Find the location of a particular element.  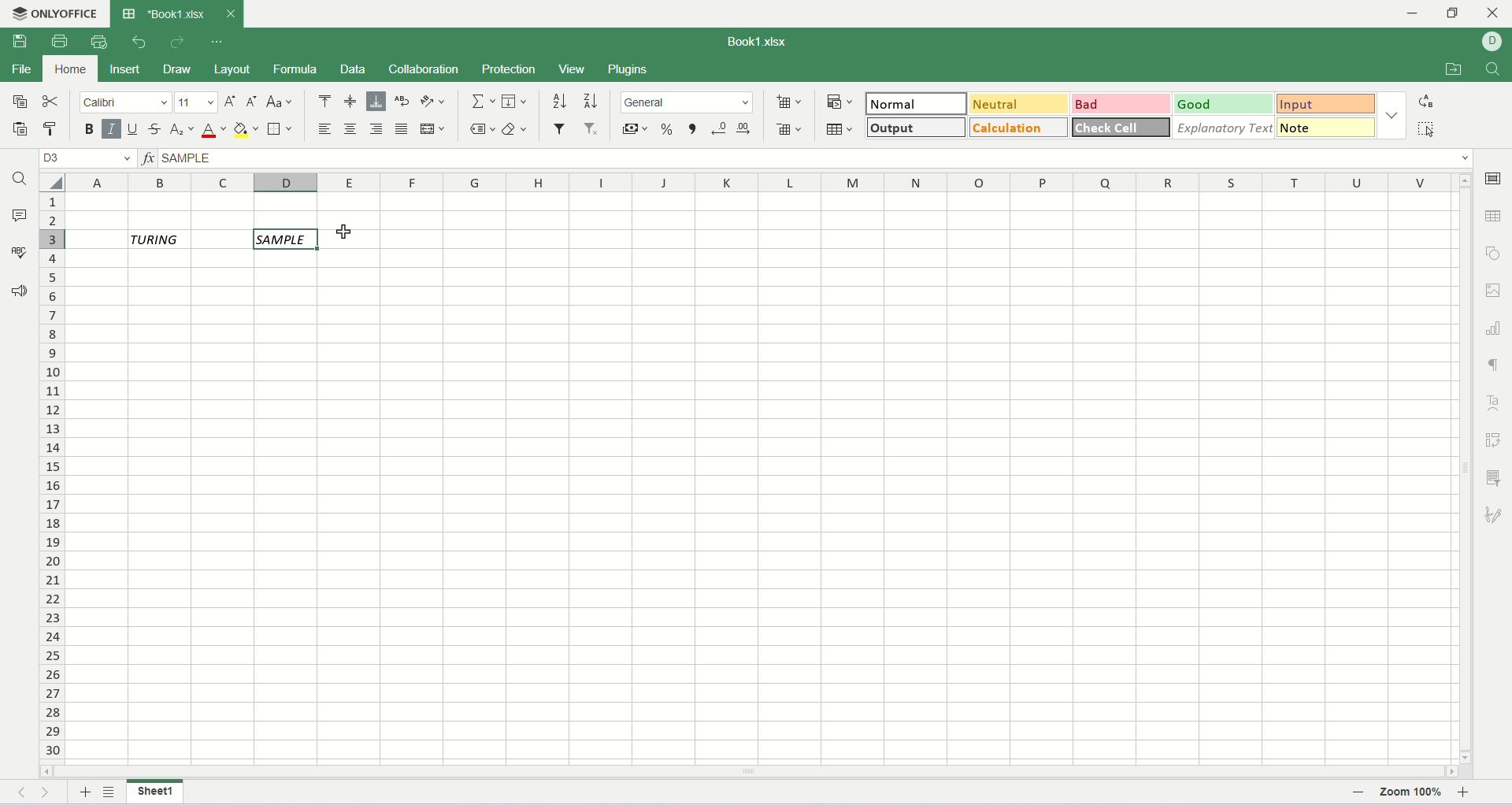

layout is located at coordinates (235, 72).